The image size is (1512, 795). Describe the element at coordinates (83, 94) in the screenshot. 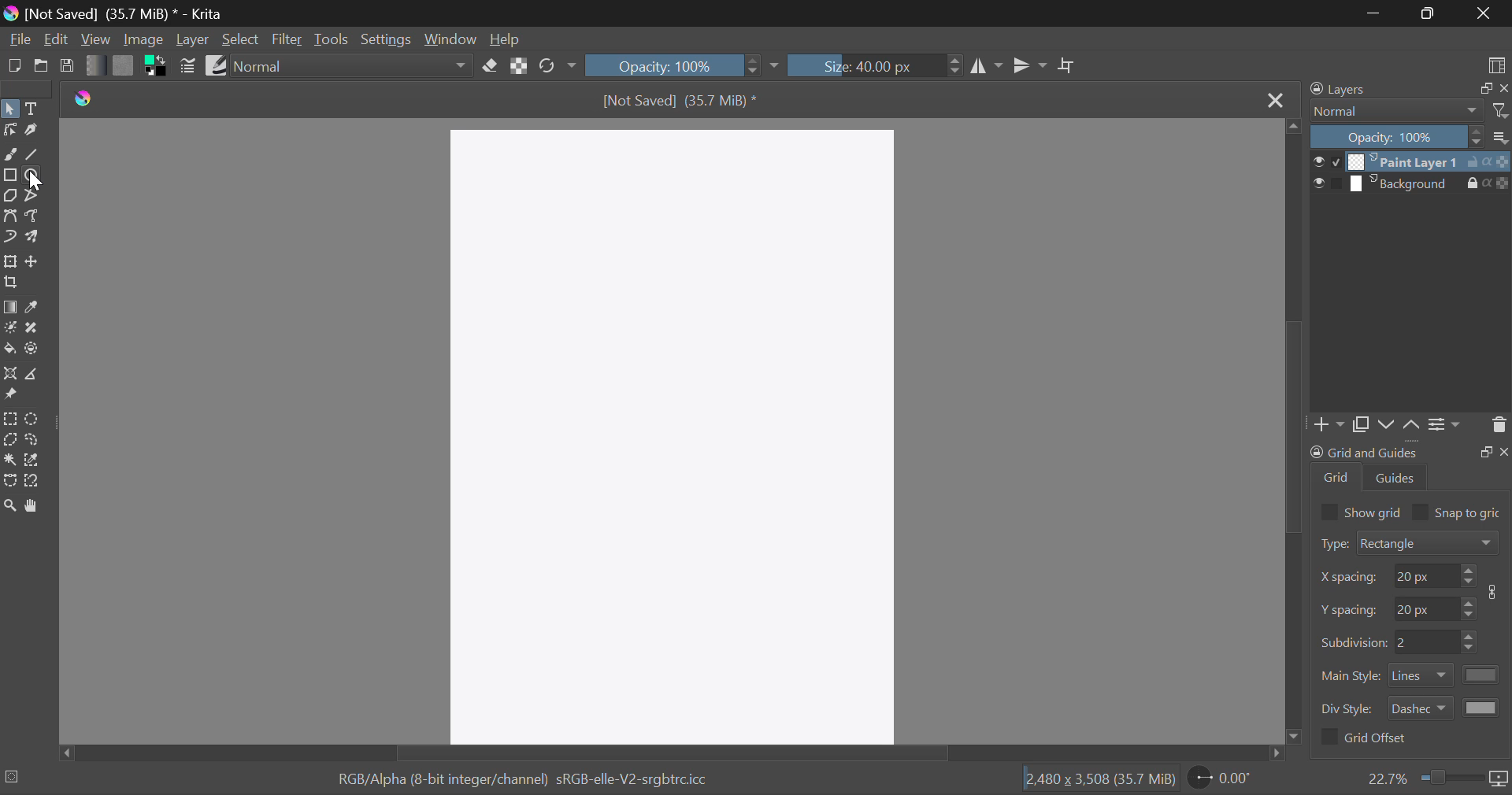

I see `logo` at that location.